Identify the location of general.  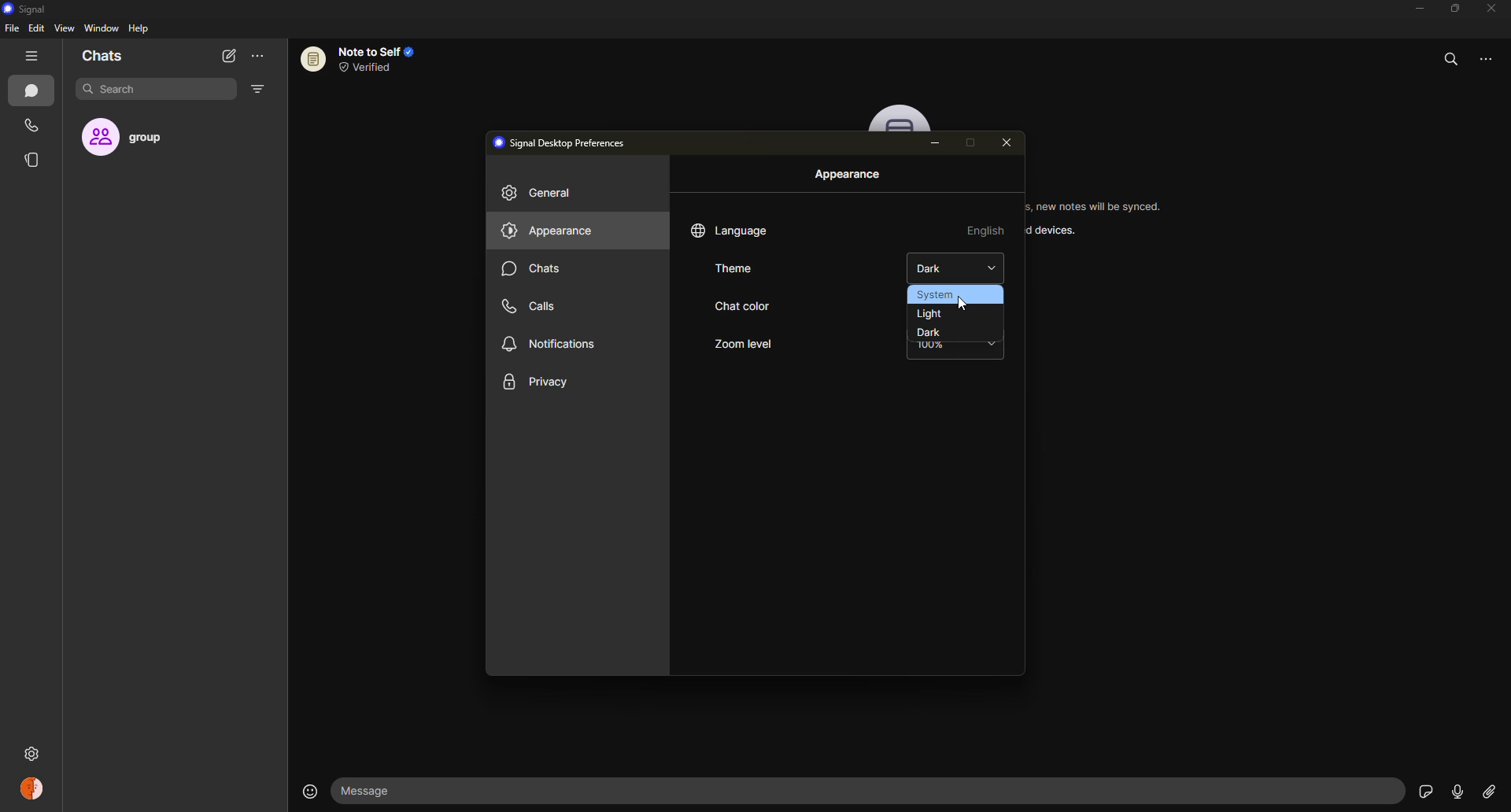
(543, 194).